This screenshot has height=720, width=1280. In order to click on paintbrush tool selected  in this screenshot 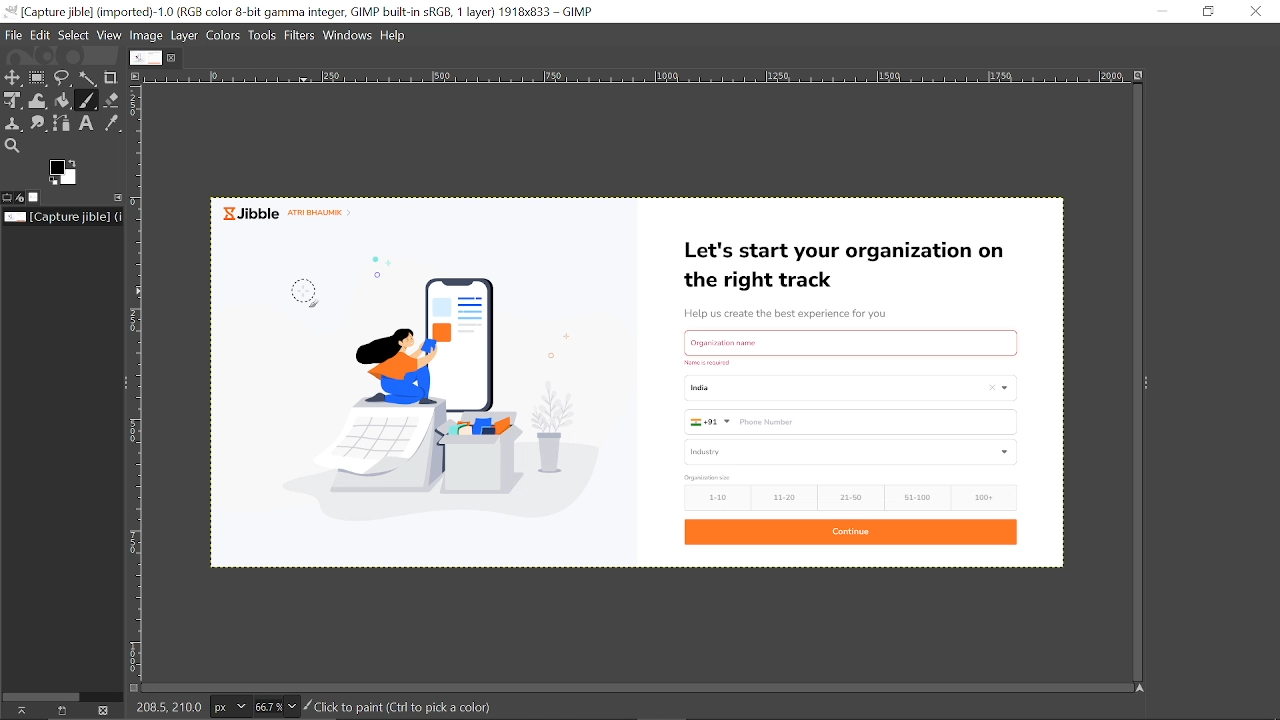, I will do `click(309, 294)`.